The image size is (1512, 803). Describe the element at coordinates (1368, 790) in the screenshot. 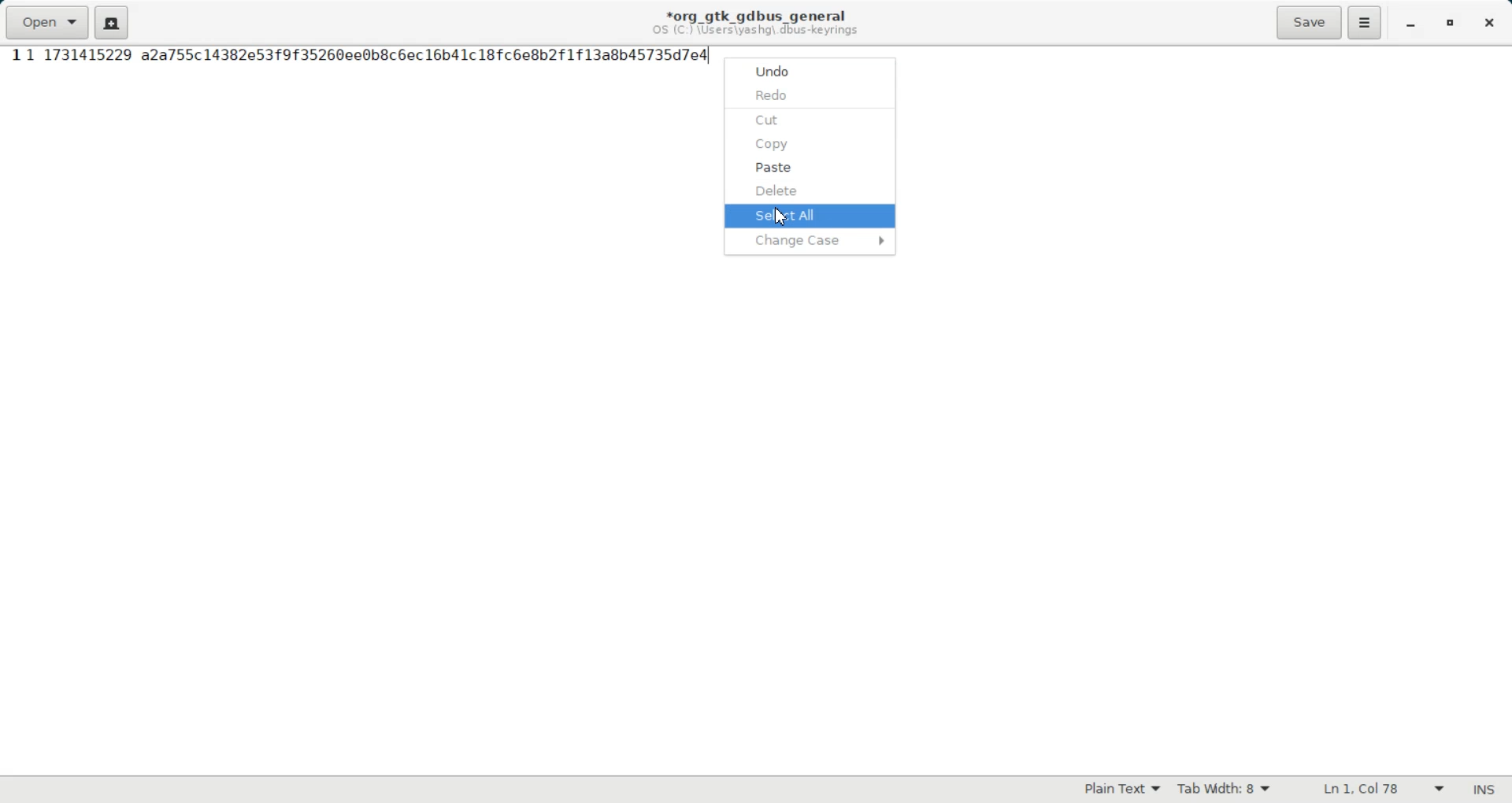

I see `Text Wrapping` at that location.